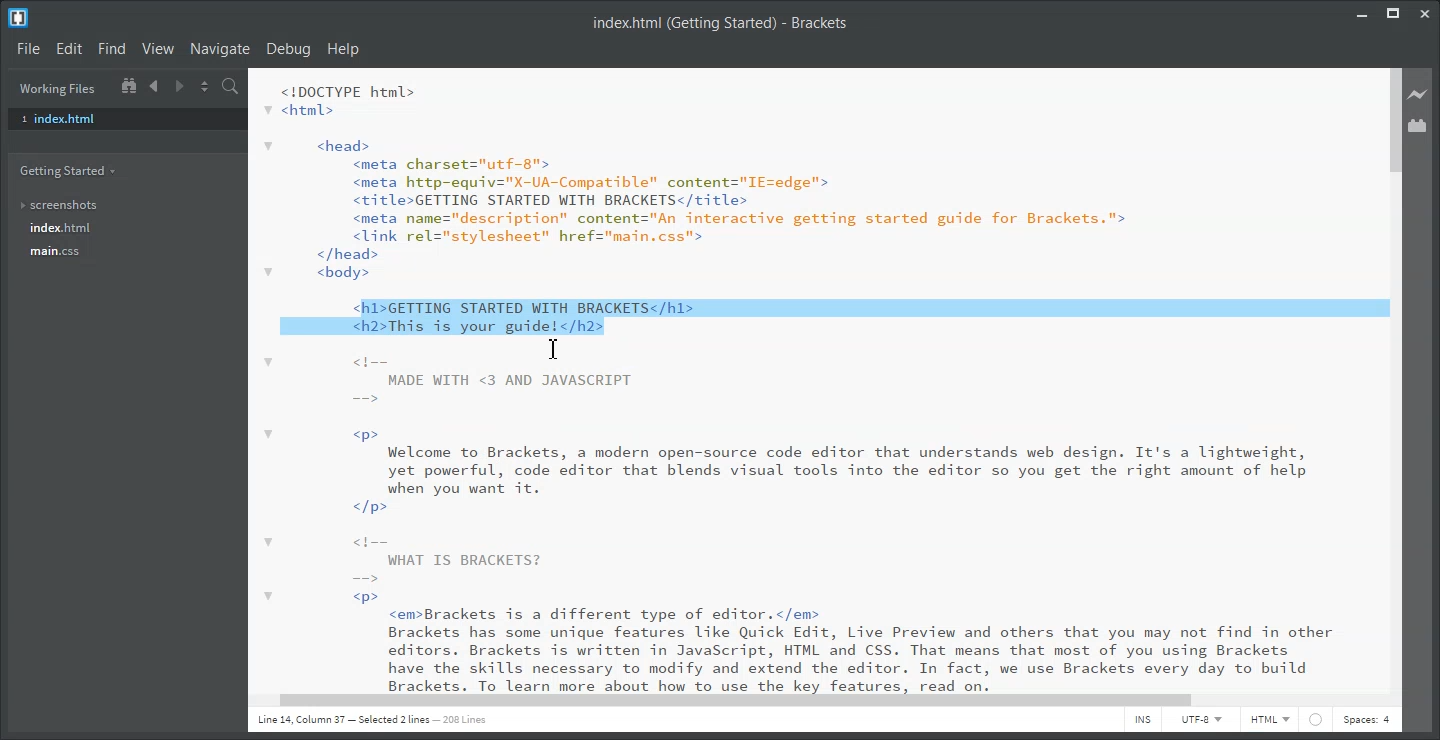 This screenshot has width=1440, height=740. I want to click on File, so click(27, 48).